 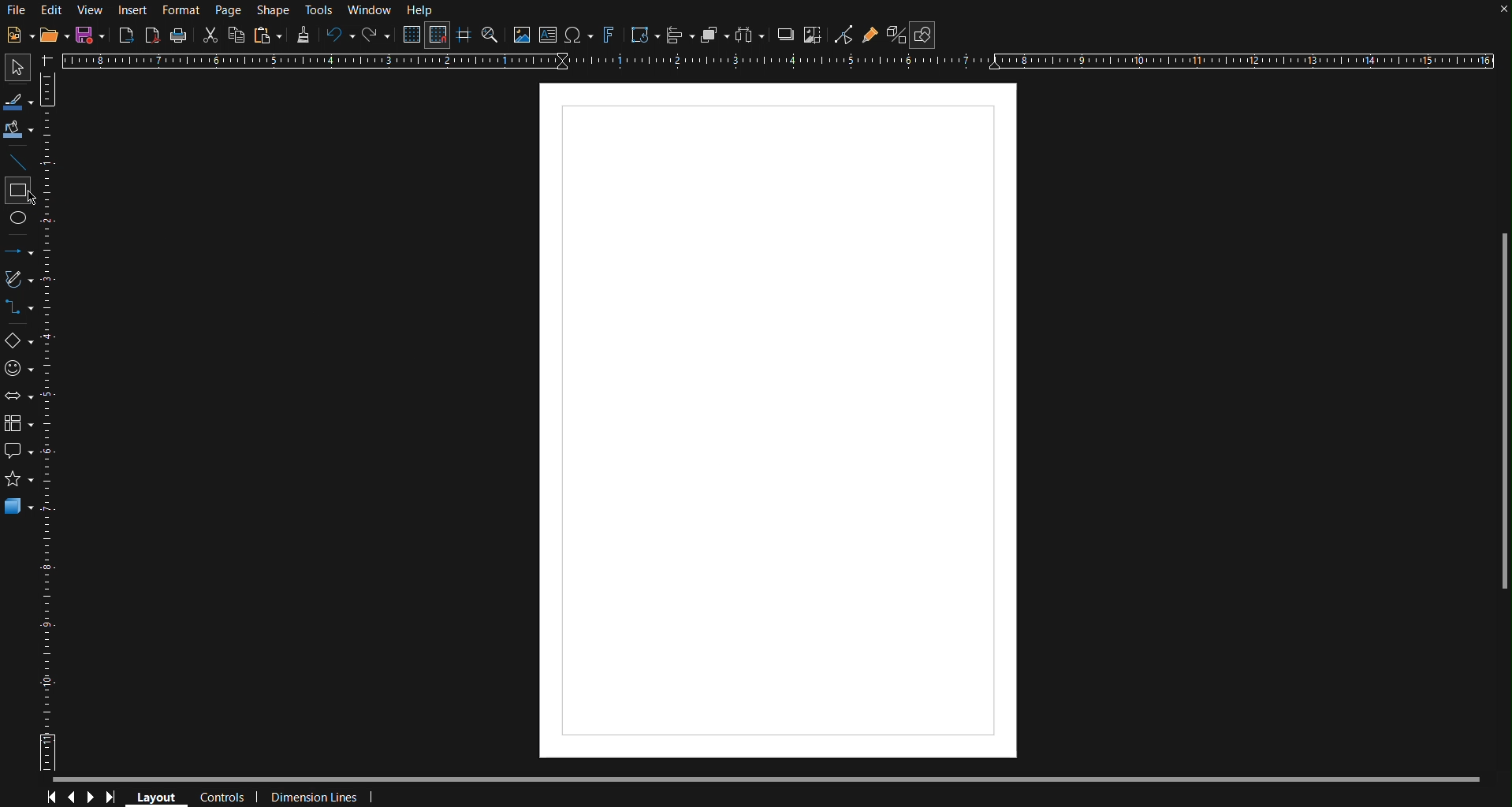 What do you see at coordinates (126, 35) in the screenshot?
I see `Export` at bounding box center [126, 35].